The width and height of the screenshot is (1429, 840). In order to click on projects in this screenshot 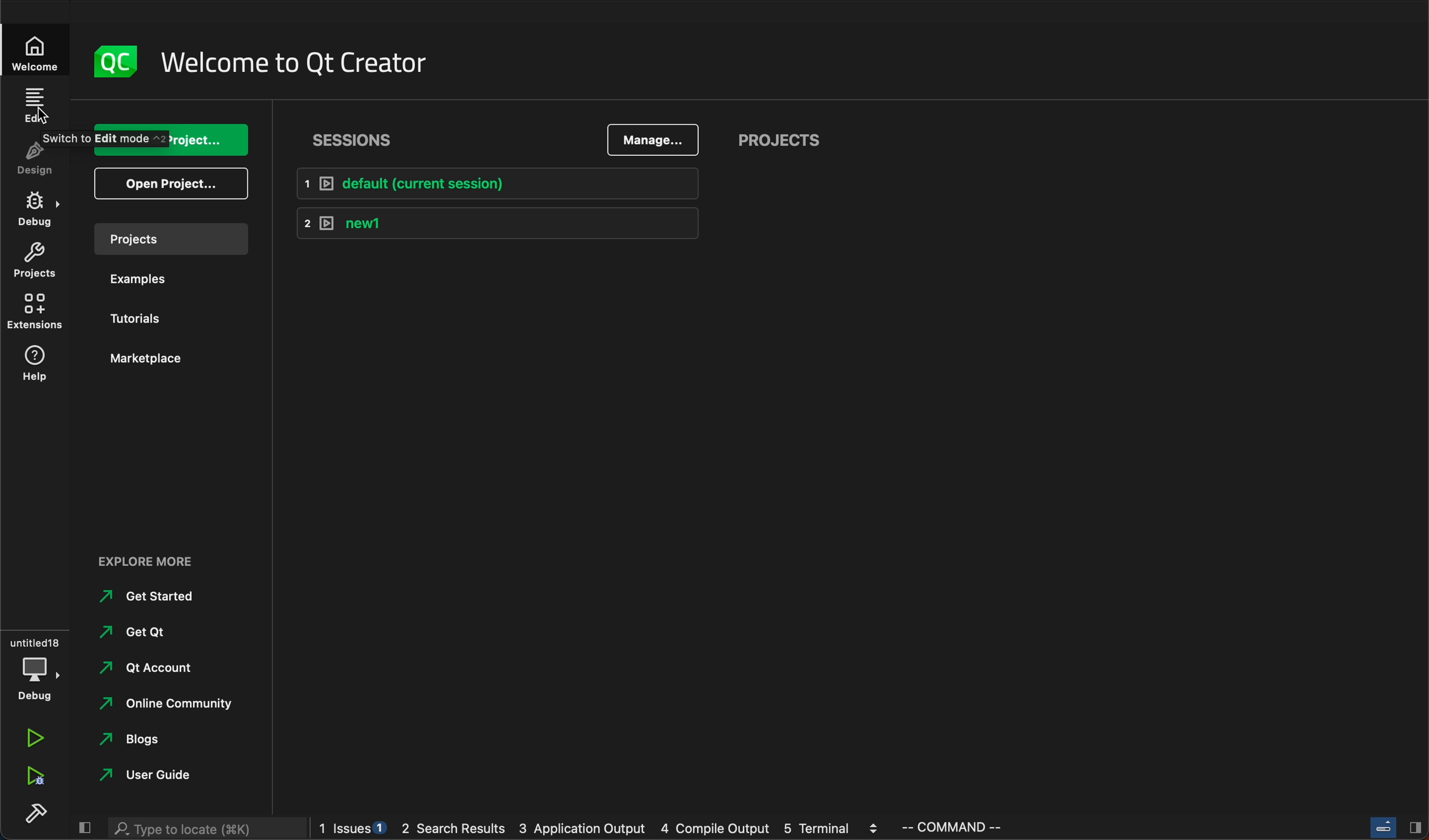, I will do `click(39, 258)`.